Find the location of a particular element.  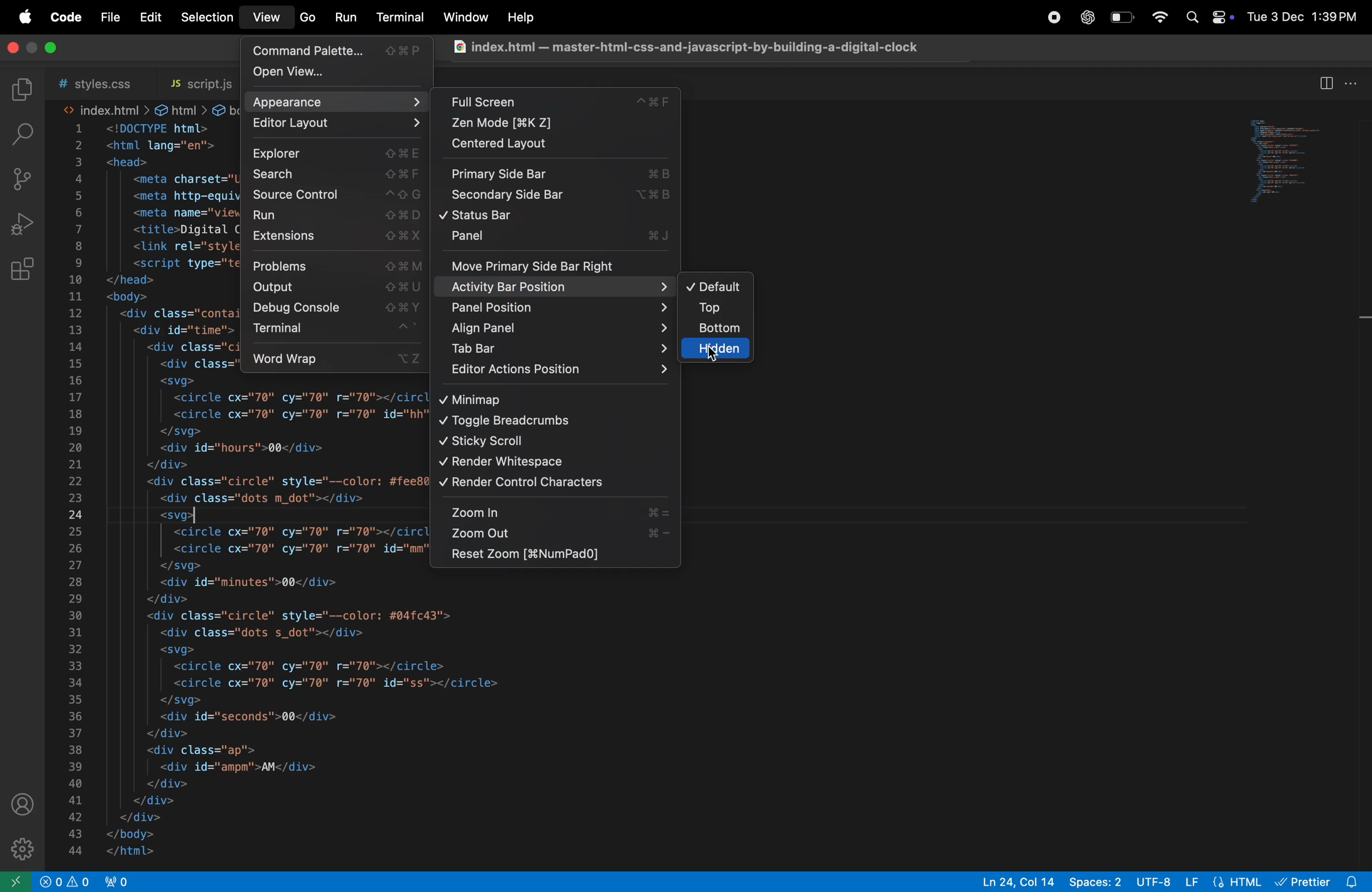

selection is located at coordinates (203, 17).